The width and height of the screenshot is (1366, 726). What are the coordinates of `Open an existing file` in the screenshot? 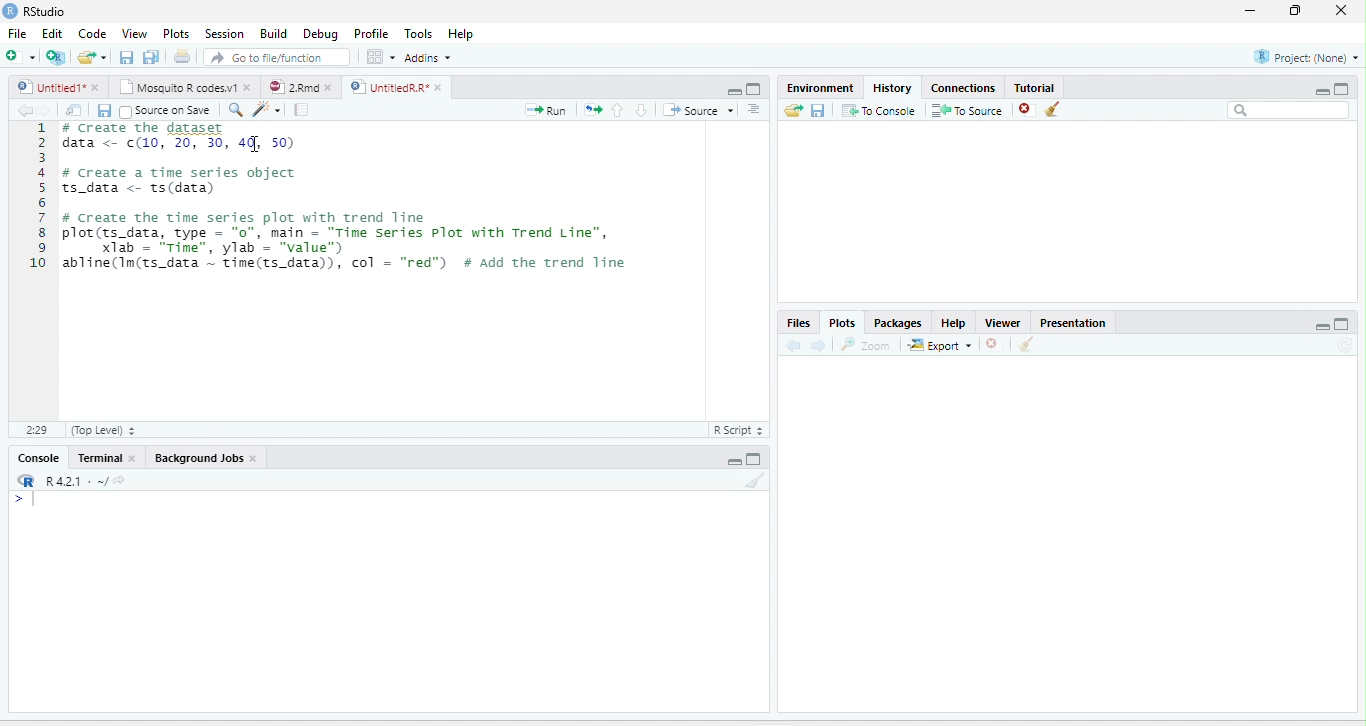 It's located at (86, 56).